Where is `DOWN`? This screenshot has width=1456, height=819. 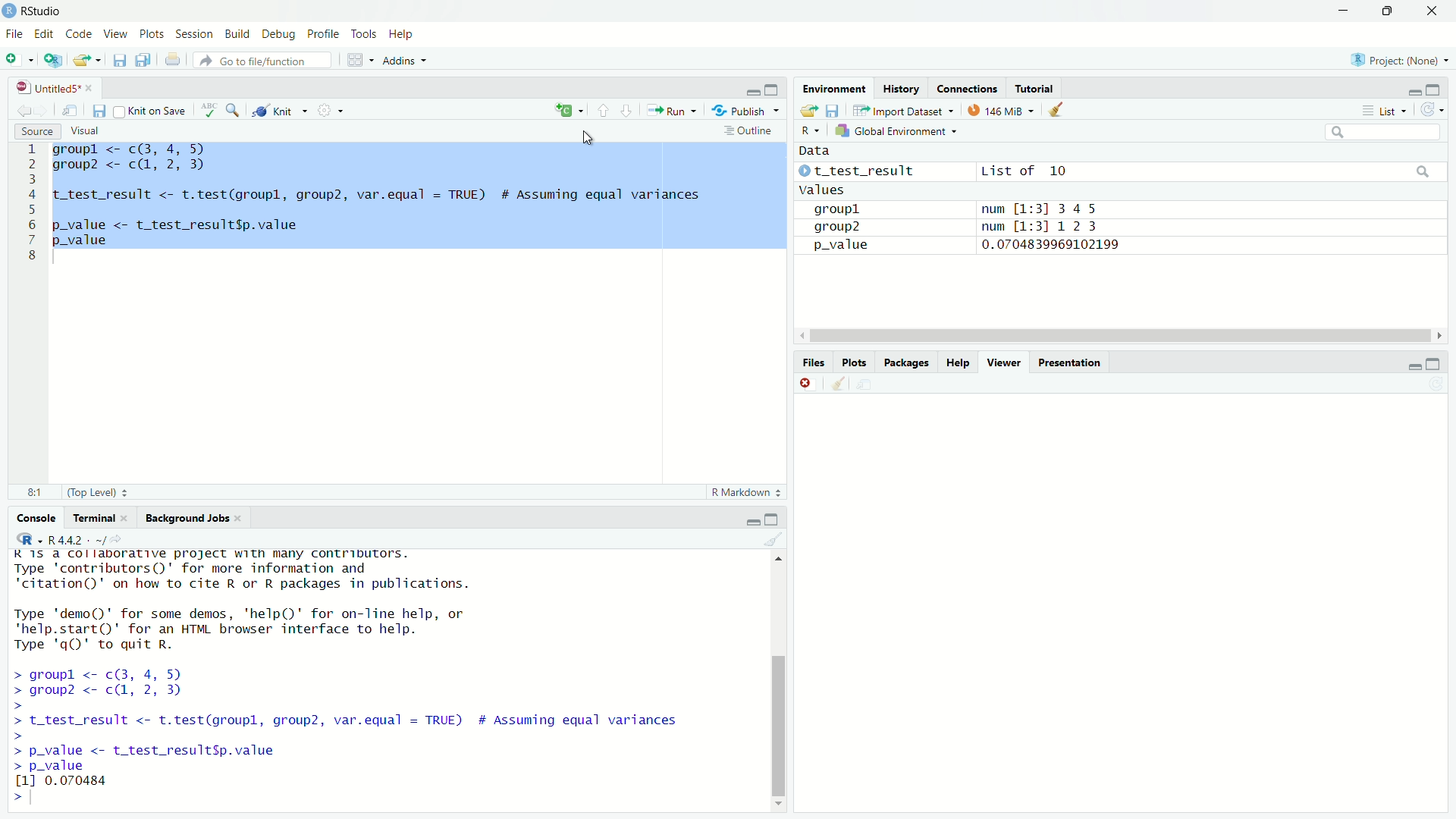 DOWN is located at coordinates (1386, 11).